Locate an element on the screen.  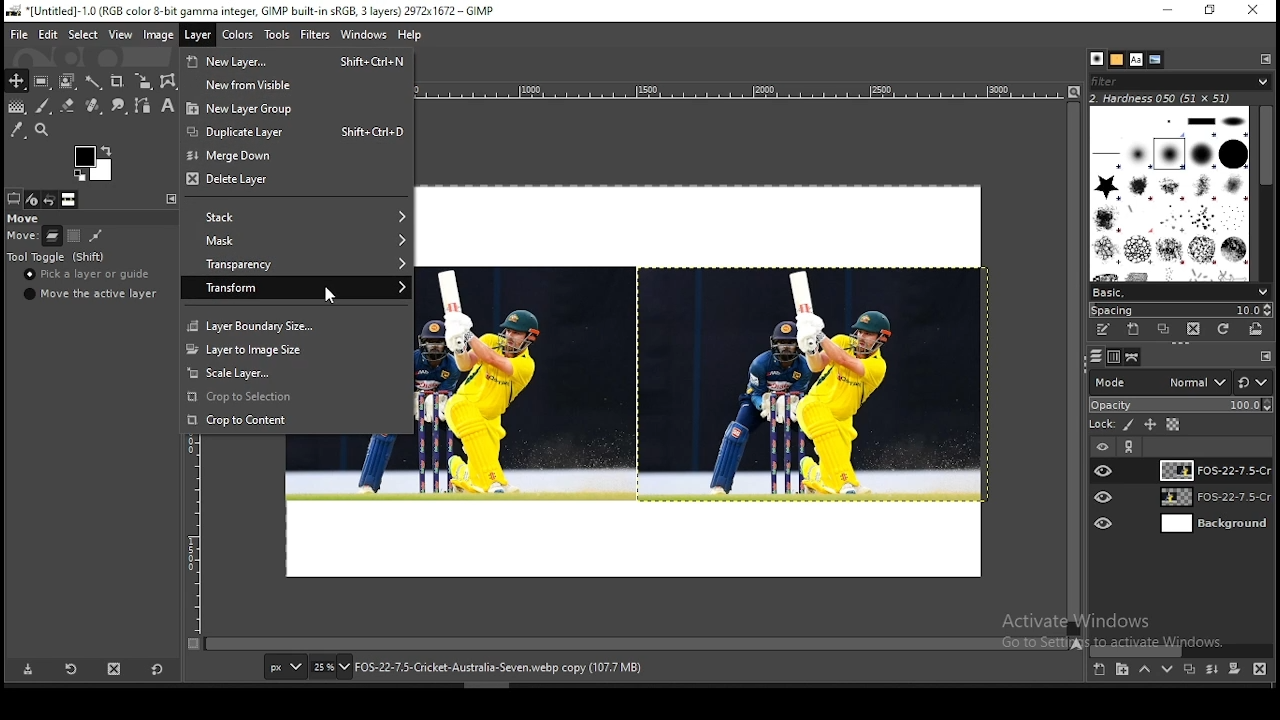
brush tool is located at coordinates (43, 106).